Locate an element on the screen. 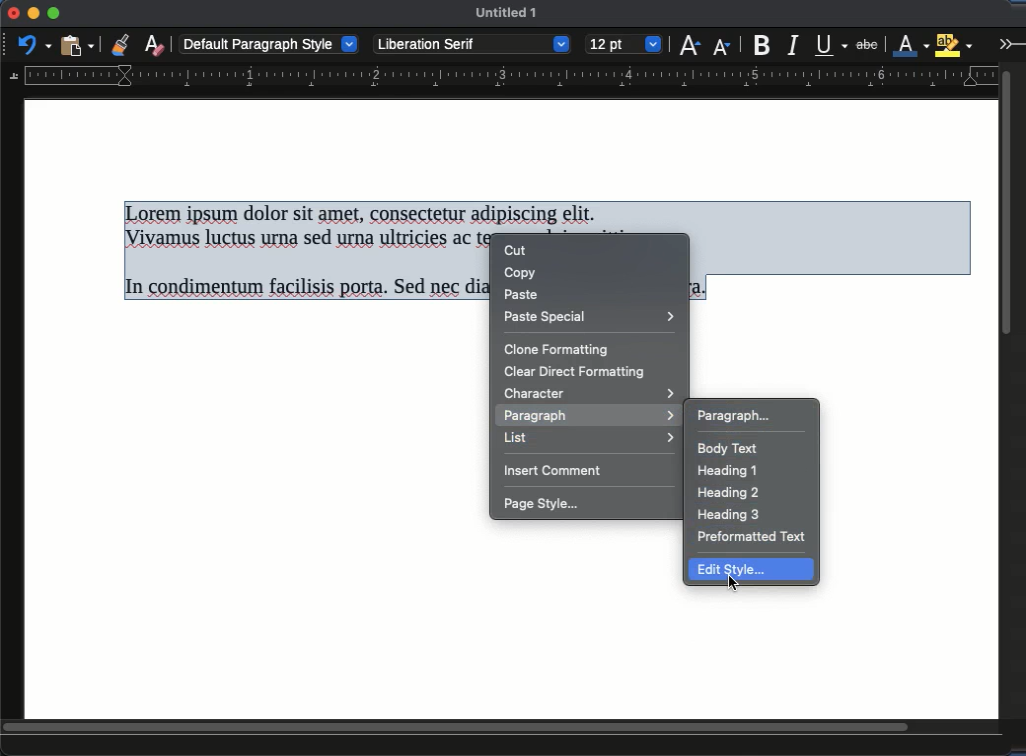  Here is the transcription of the text:  ---  Lorem ipsum dolor sit amet, consectetur adipiscing elit.   Vivamus luctus urna sed urna ultricies ac tempor dui sagittis.    In condimentum facilisis porta. Sed nec diam eu diam mattis viverra. is located at coordinates (305, 253).